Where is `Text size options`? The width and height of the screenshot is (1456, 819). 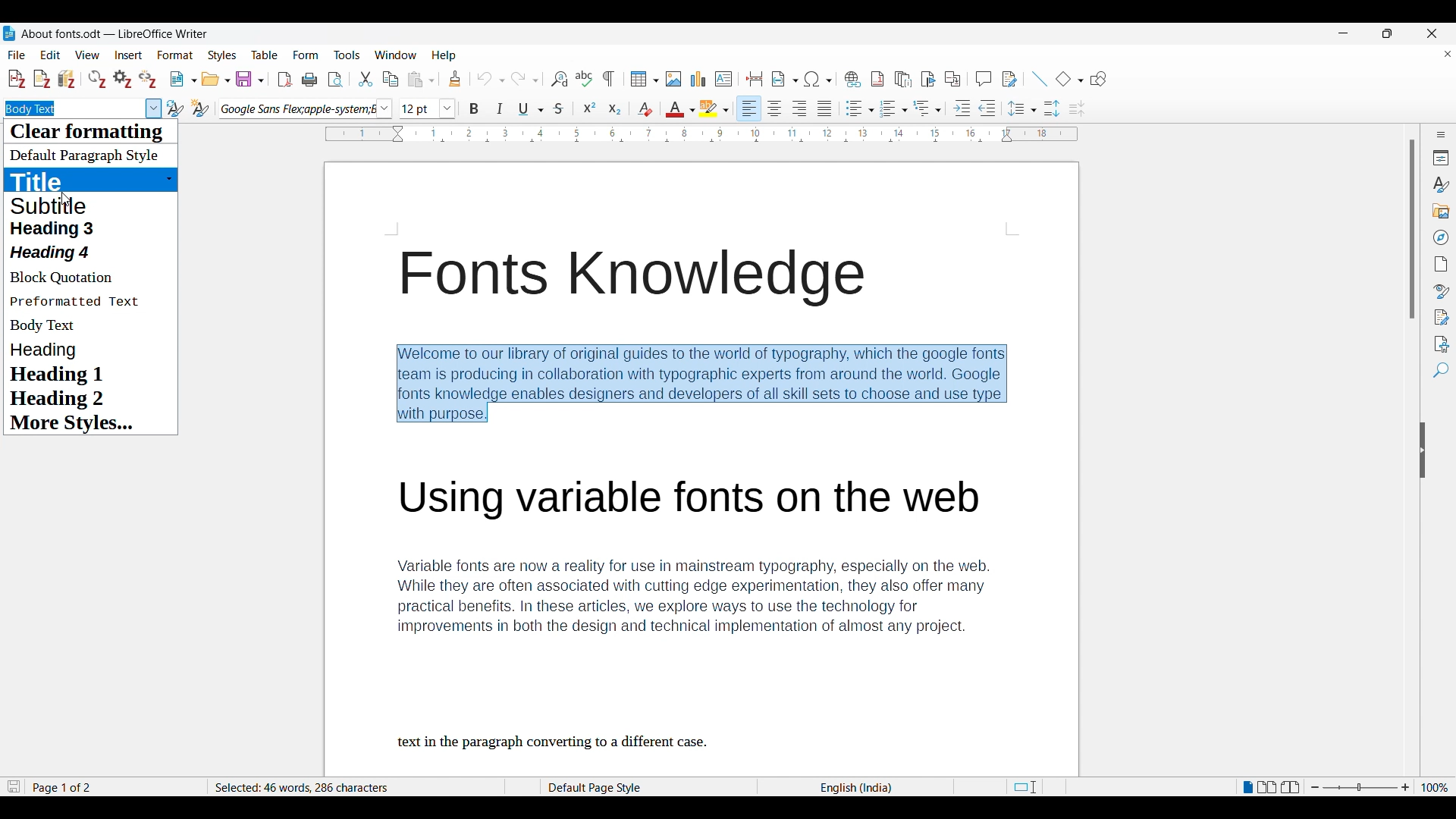
Text size options is located at coordinates (427, 108).